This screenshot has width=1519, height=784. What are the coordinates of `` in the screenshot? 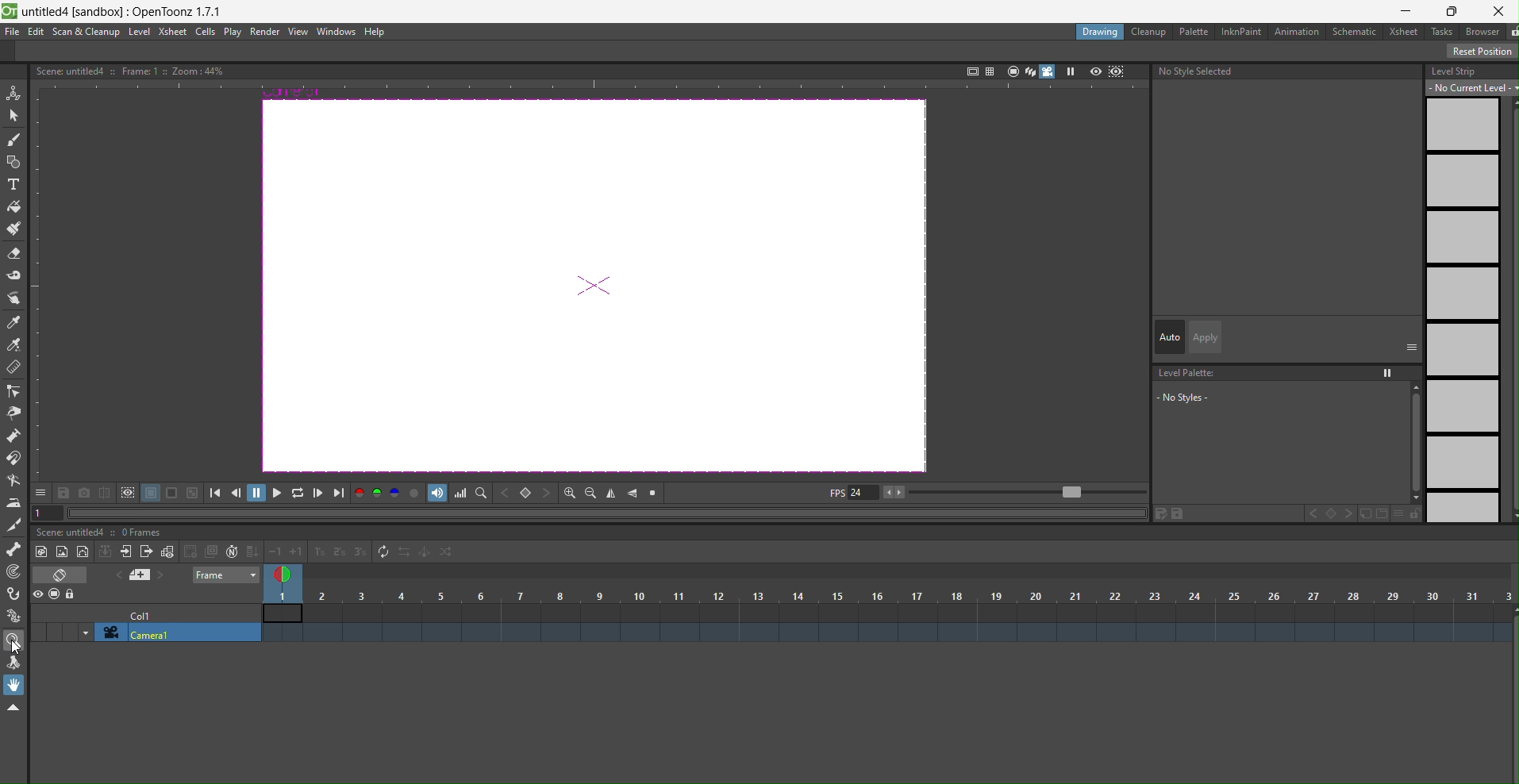 It's located at (460, 493).